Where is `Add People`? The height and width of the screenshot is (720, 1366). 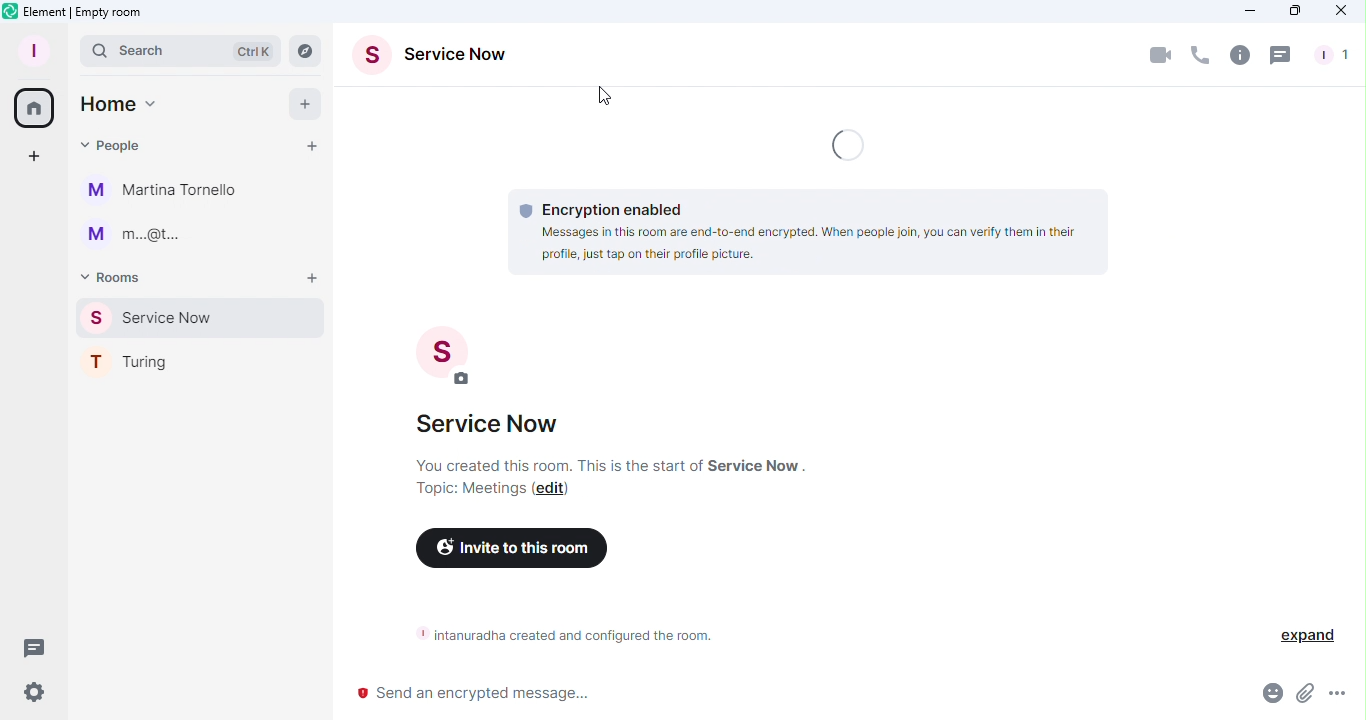
Add People is located at coordinates (312, 147).